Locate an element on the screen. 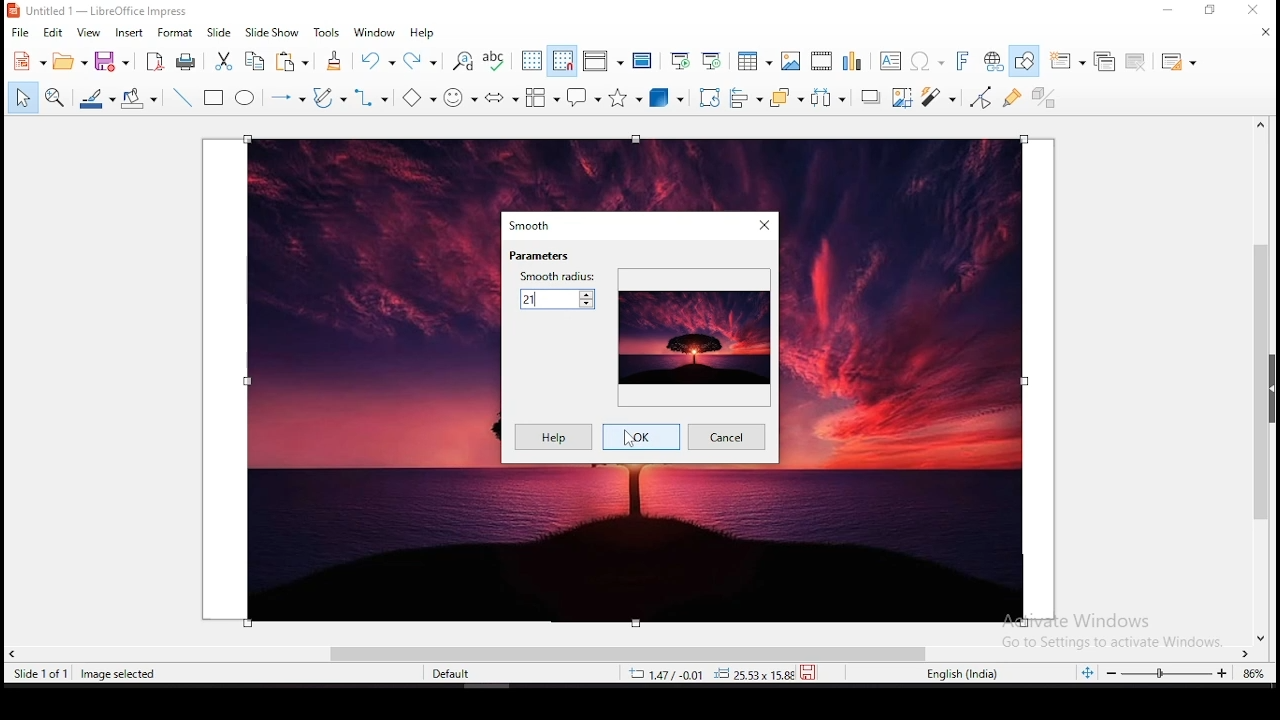 This screenshot has width=1280, height=720. find and replace is located at coordinates (464, 62).